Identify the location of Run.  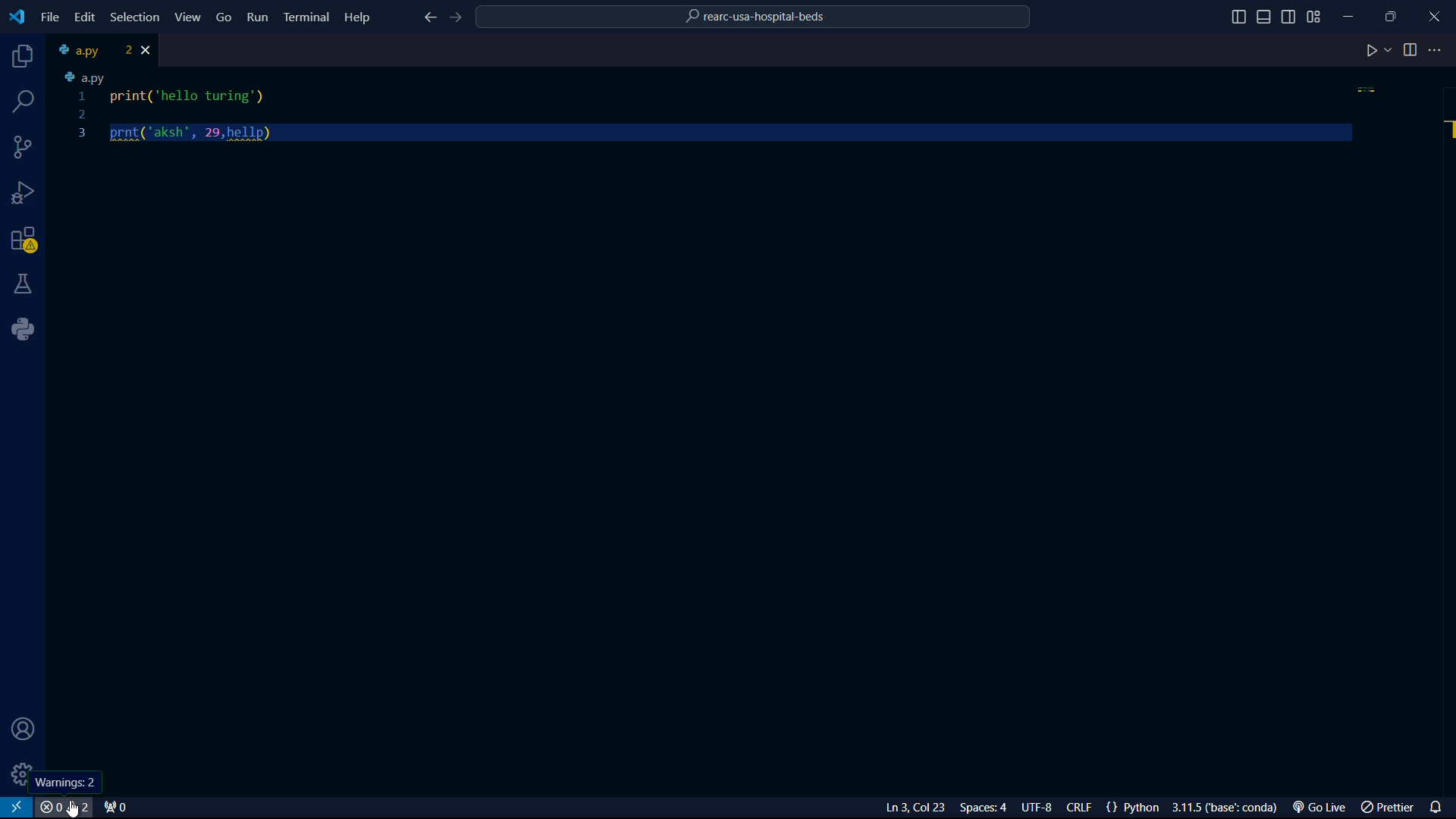
(259, 20).